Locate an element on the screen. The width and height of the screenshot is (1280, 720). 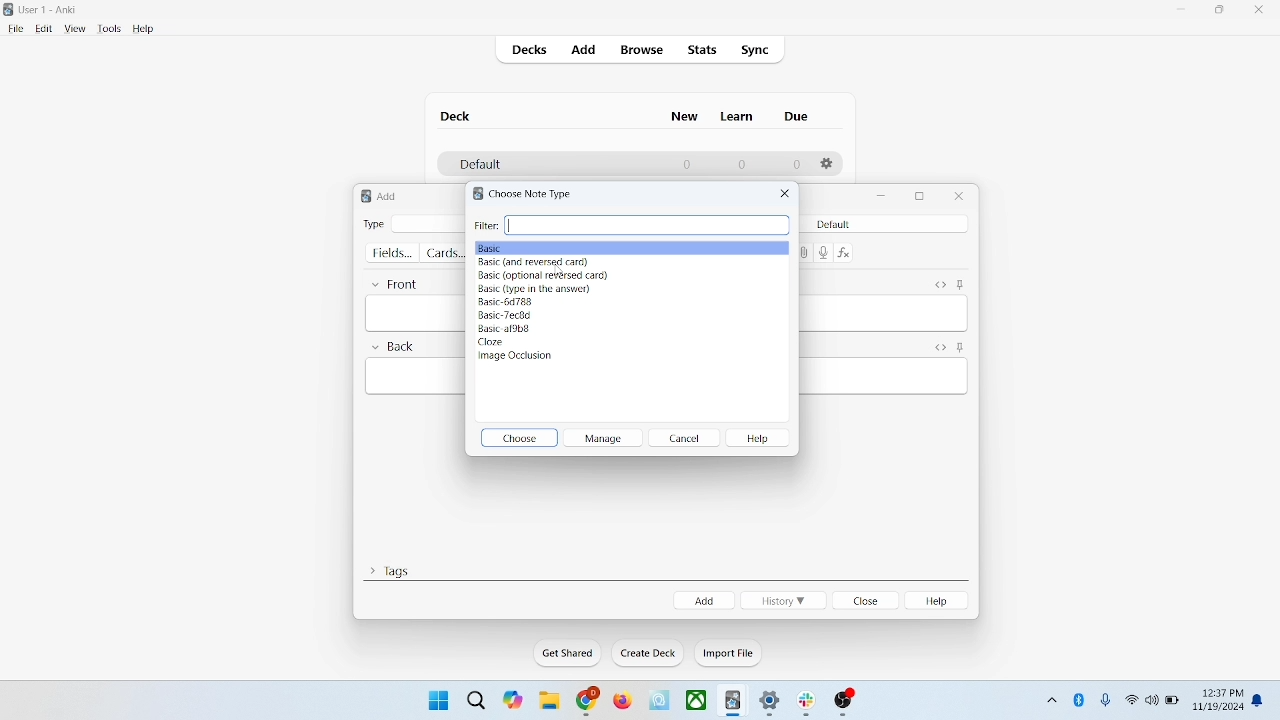
sticky is located at coordinates (960, 284).